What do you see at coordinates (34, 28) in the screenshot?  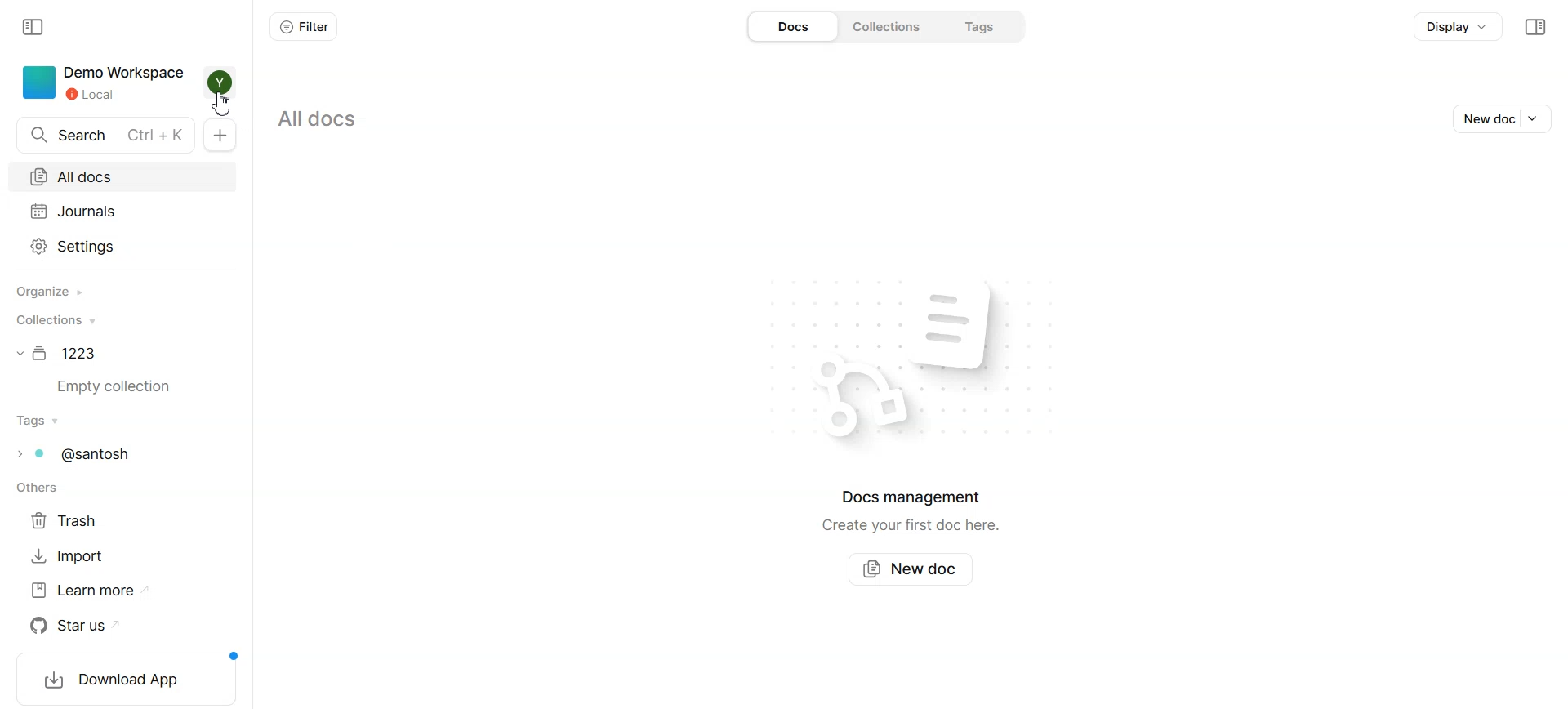 I see `Collapse sidebar` at bounding box center [34, 28].